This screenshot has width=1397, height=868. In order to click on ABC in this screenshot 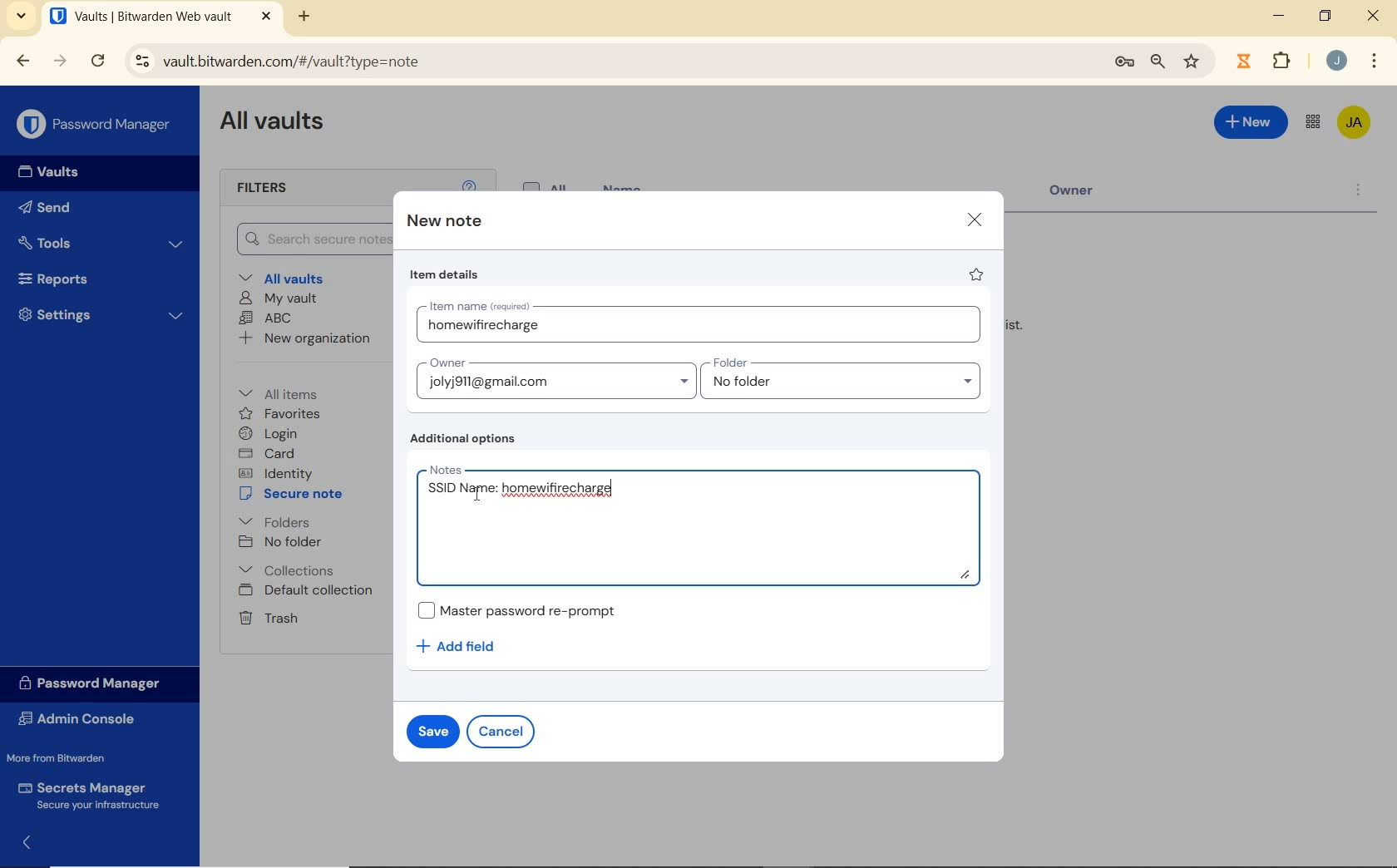, I will do `click(266, 319)`.